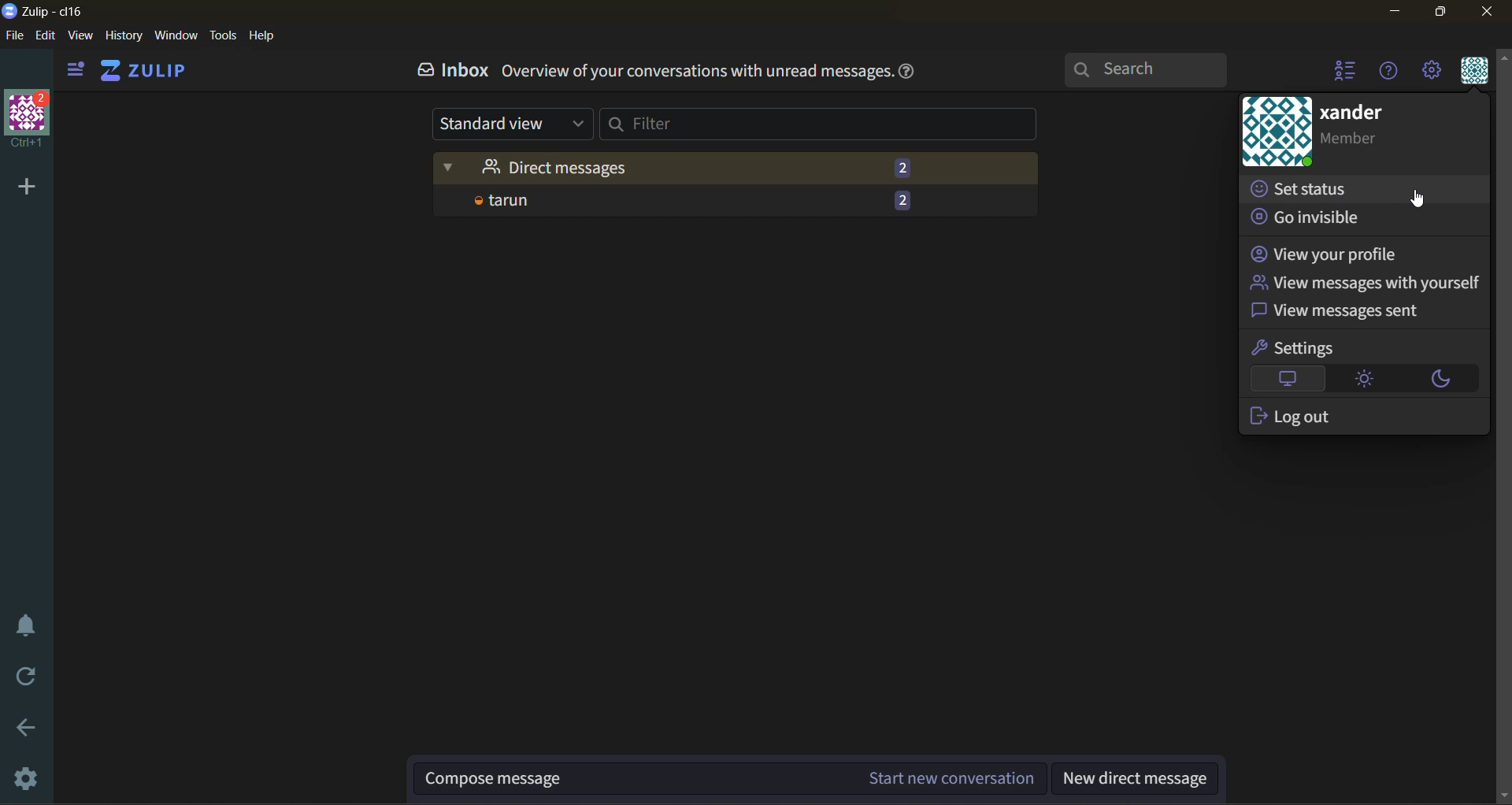  What do you see at coordinates (46, 12) in the screenshot?
I see `app name and organisation name` at bounding box center [46, 12].